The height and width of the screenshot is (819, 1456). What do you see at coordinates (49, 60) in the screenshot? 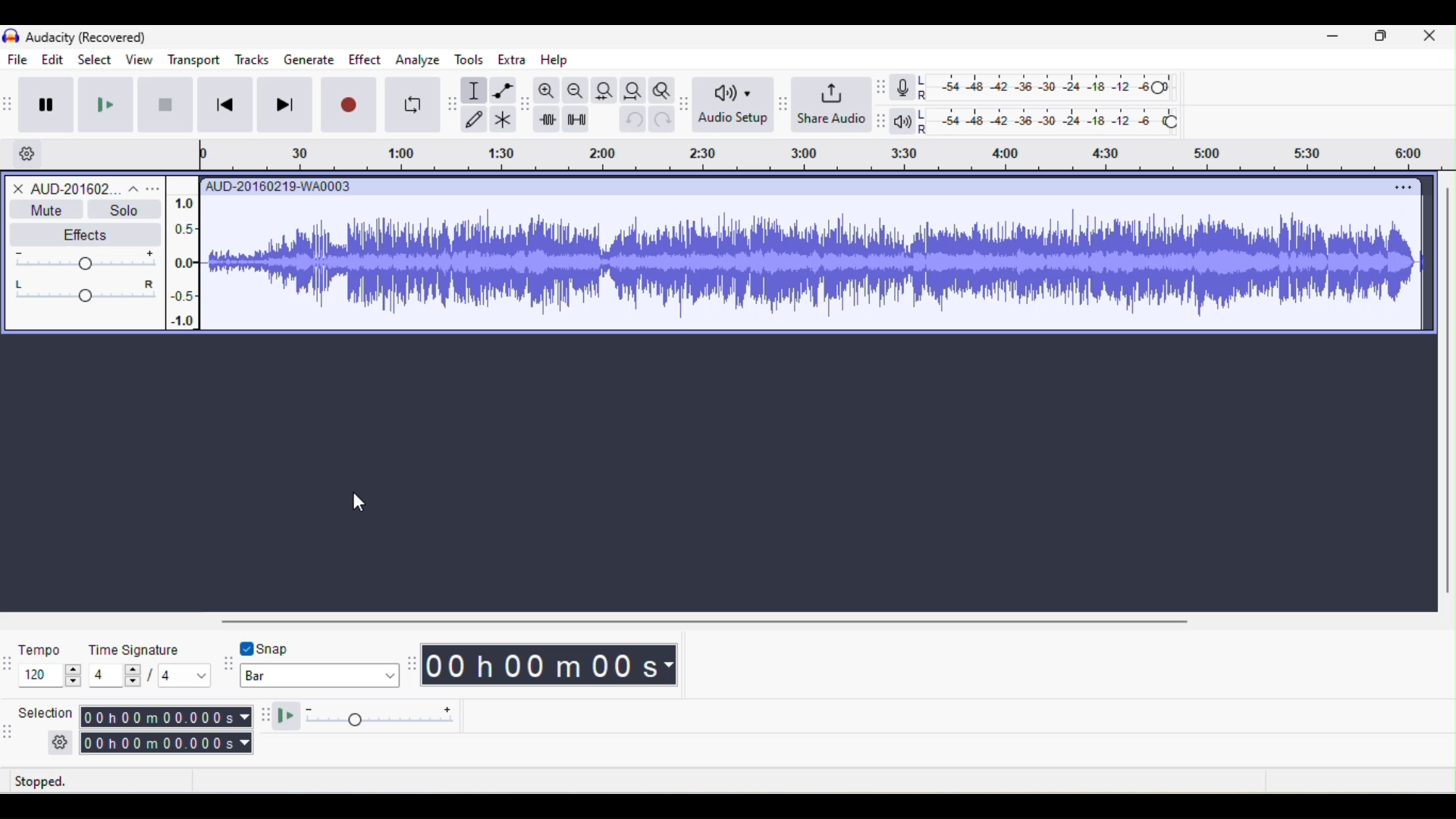
I see `edit` at bounding box center [49, 60].